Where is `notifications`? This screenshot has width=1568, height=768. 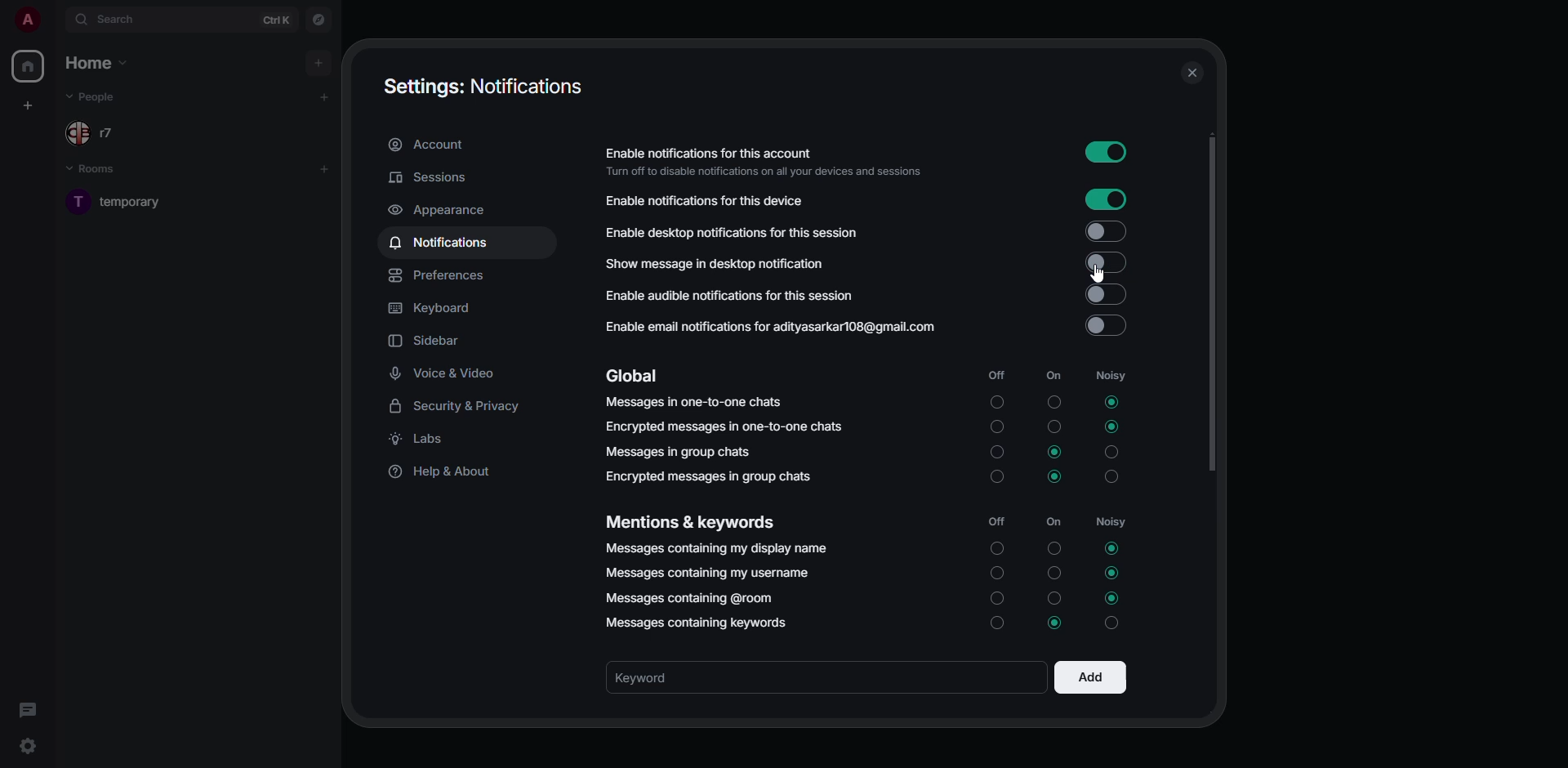 notifications is located at coordinates (439, 243).